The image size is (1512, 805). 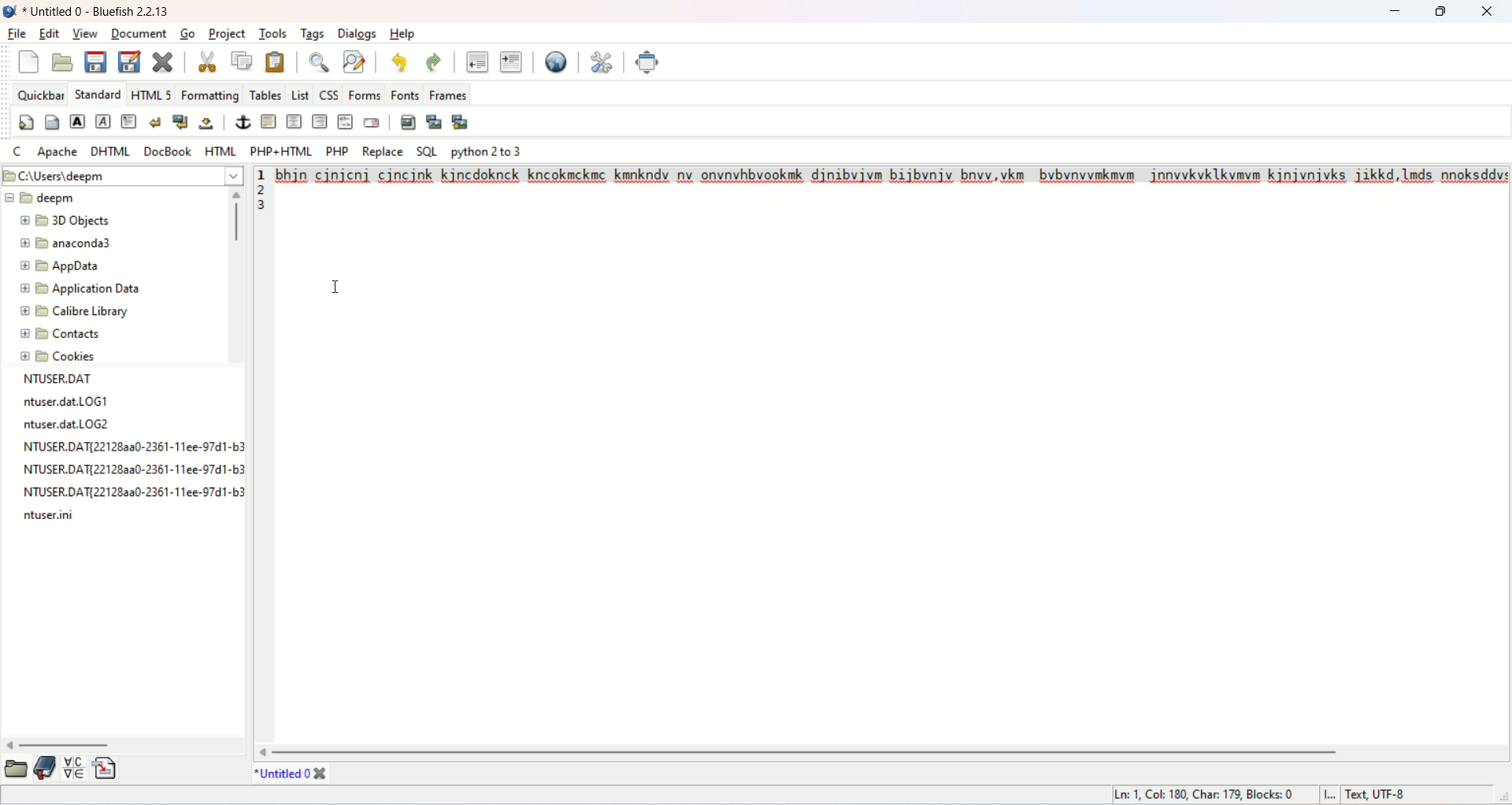 I want to click on file name, so click(x=57, y=517).